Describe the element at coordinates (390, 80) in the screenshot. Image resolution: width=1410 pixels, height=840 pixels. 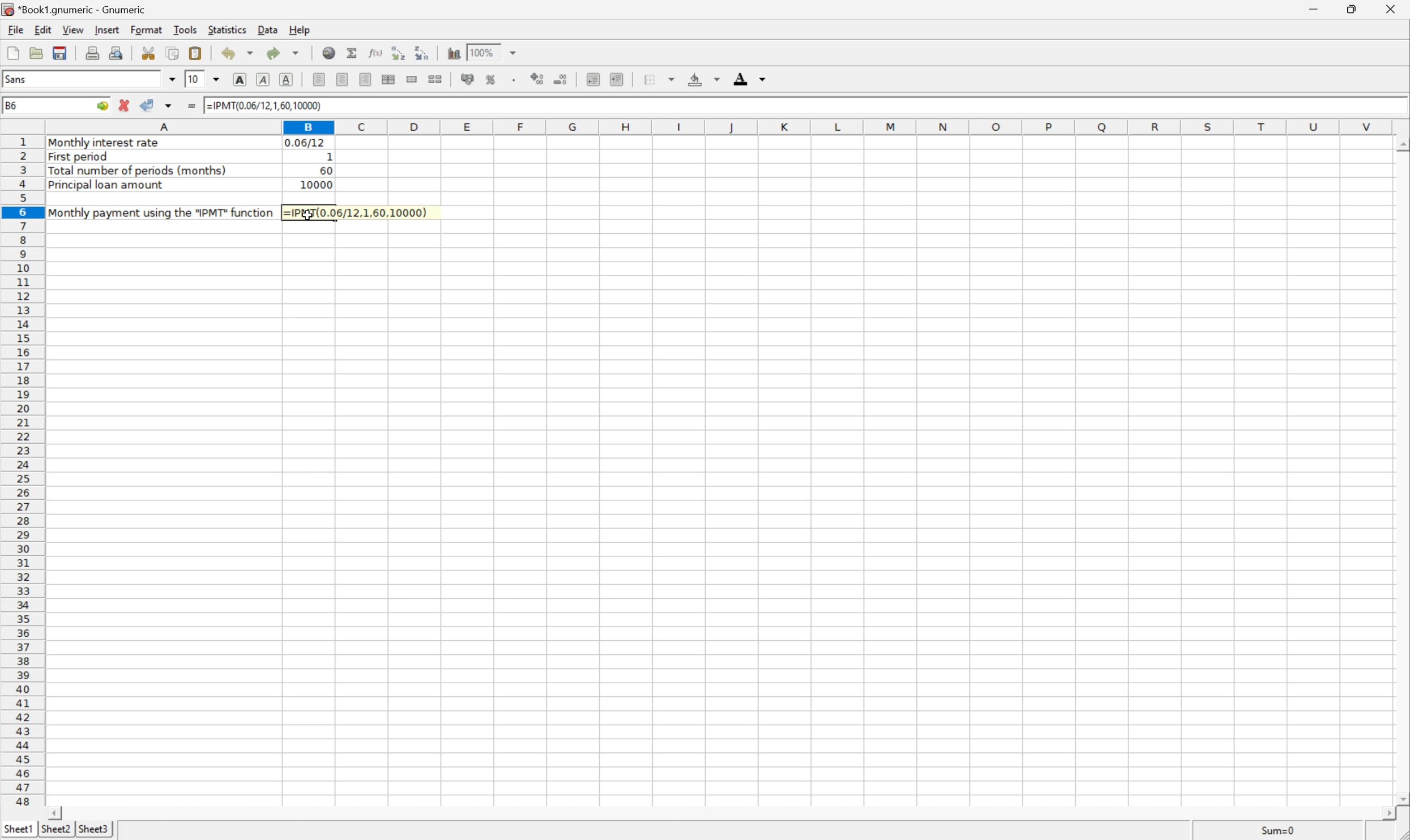
I see `Center horizontally across selection` at that location.